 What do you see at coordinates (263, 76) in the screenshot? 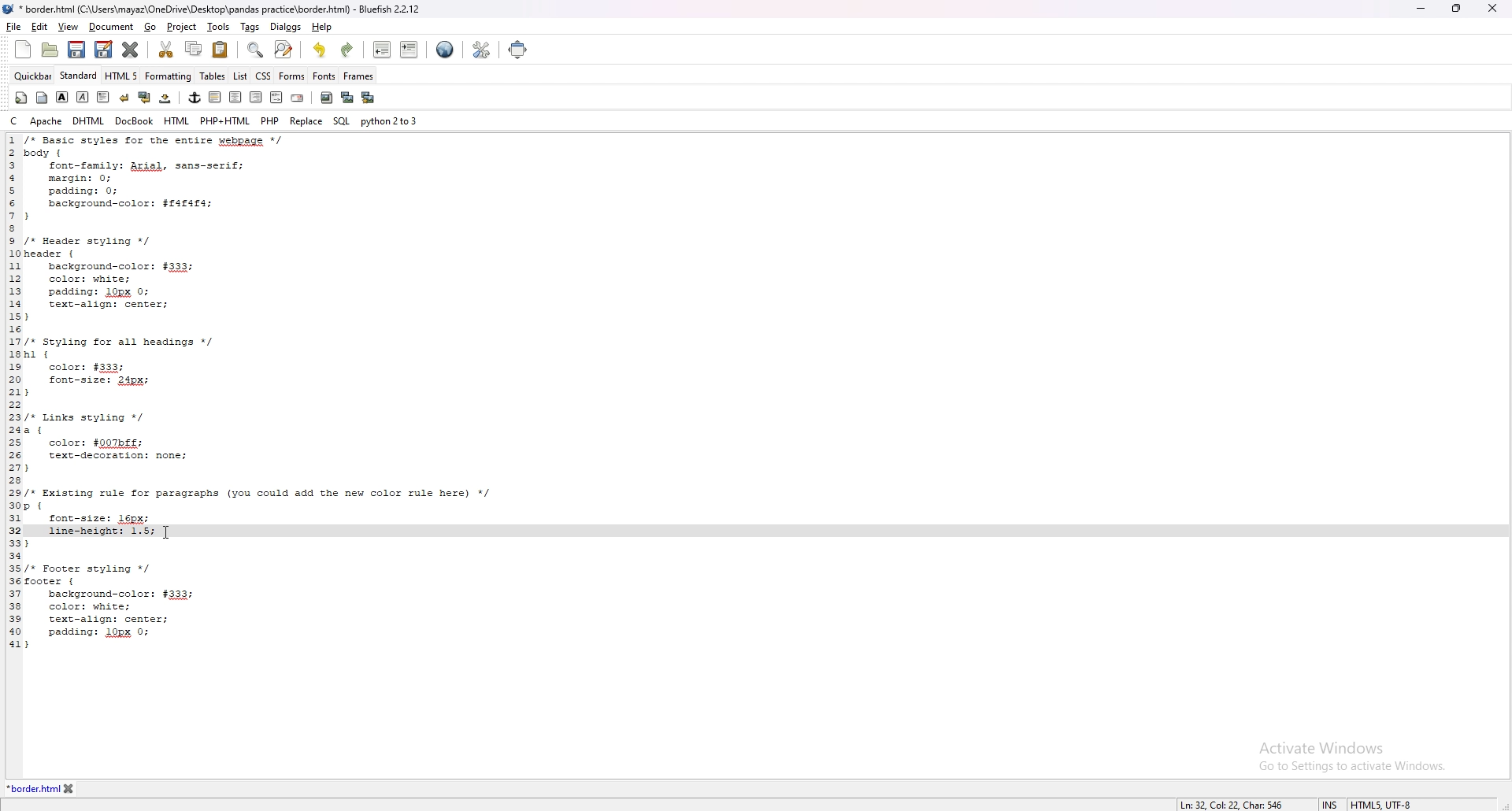
I see `css` at bounding box center [263, 76].